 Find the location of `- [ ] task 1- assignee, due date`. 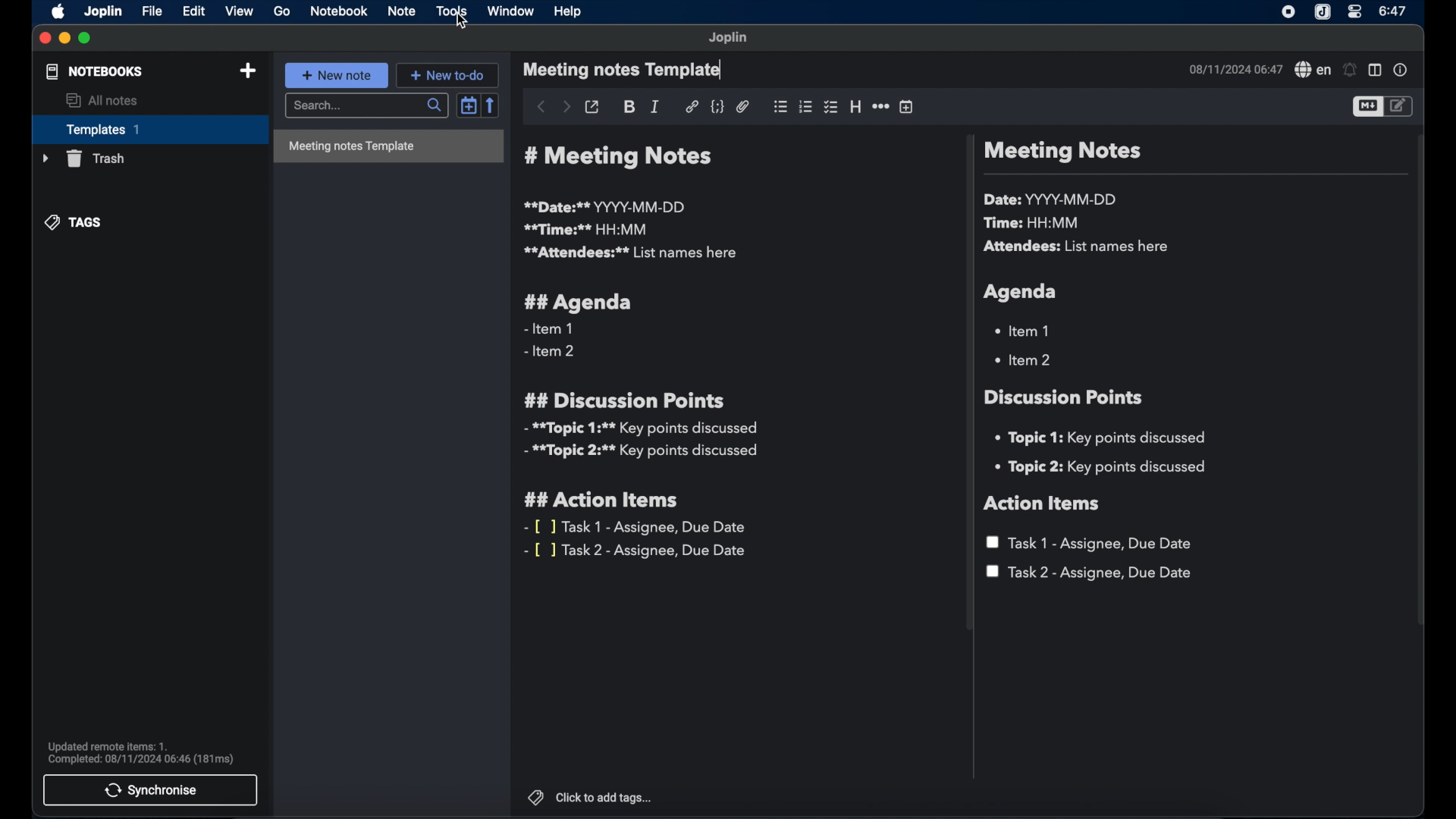

- [ ] task 1- assignee, due date is located at coordinates (636, 527).